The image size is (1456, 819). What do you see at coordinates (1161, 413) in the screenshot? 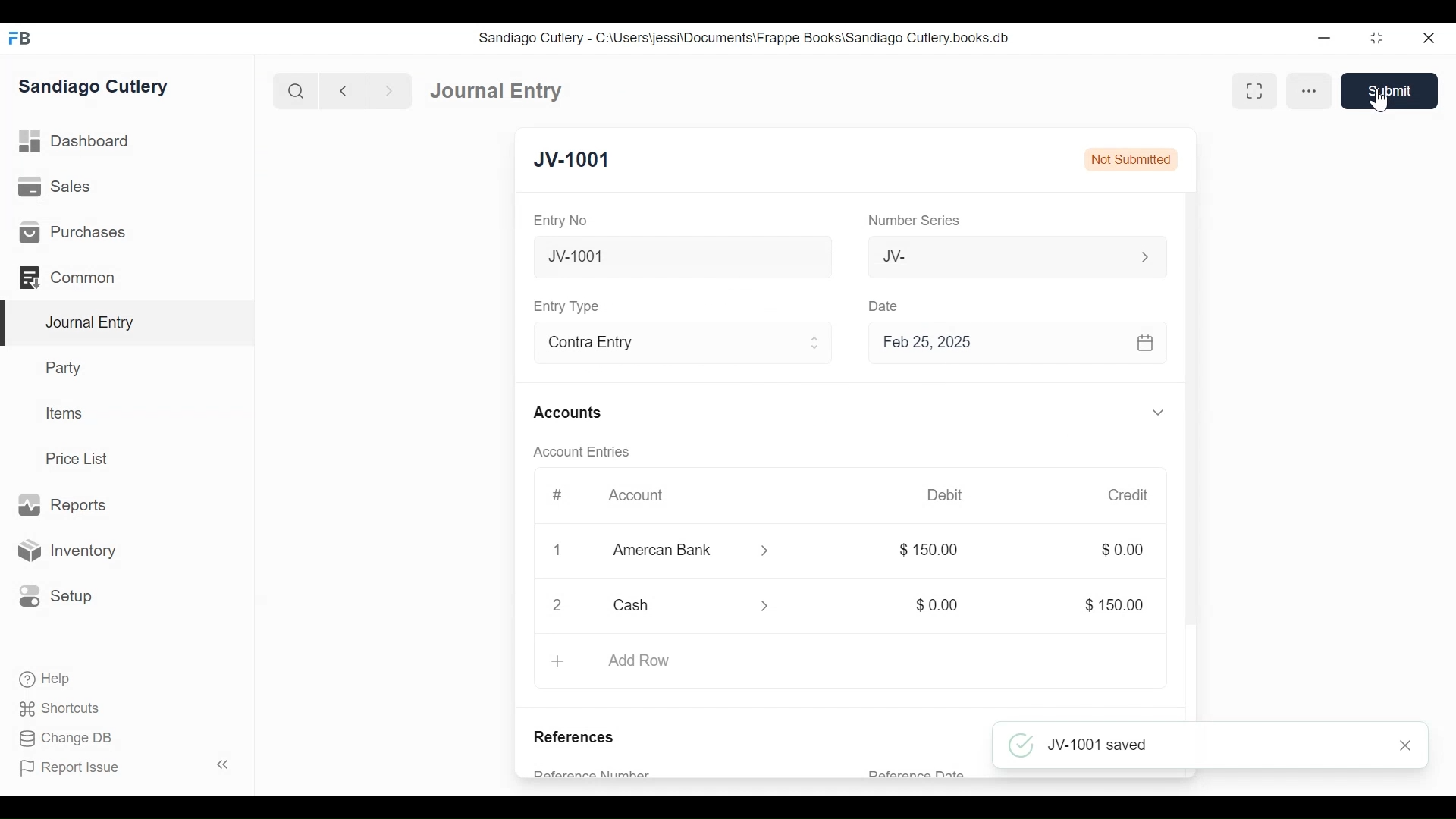
I see `Expand` at bounding box center [1161, 413].